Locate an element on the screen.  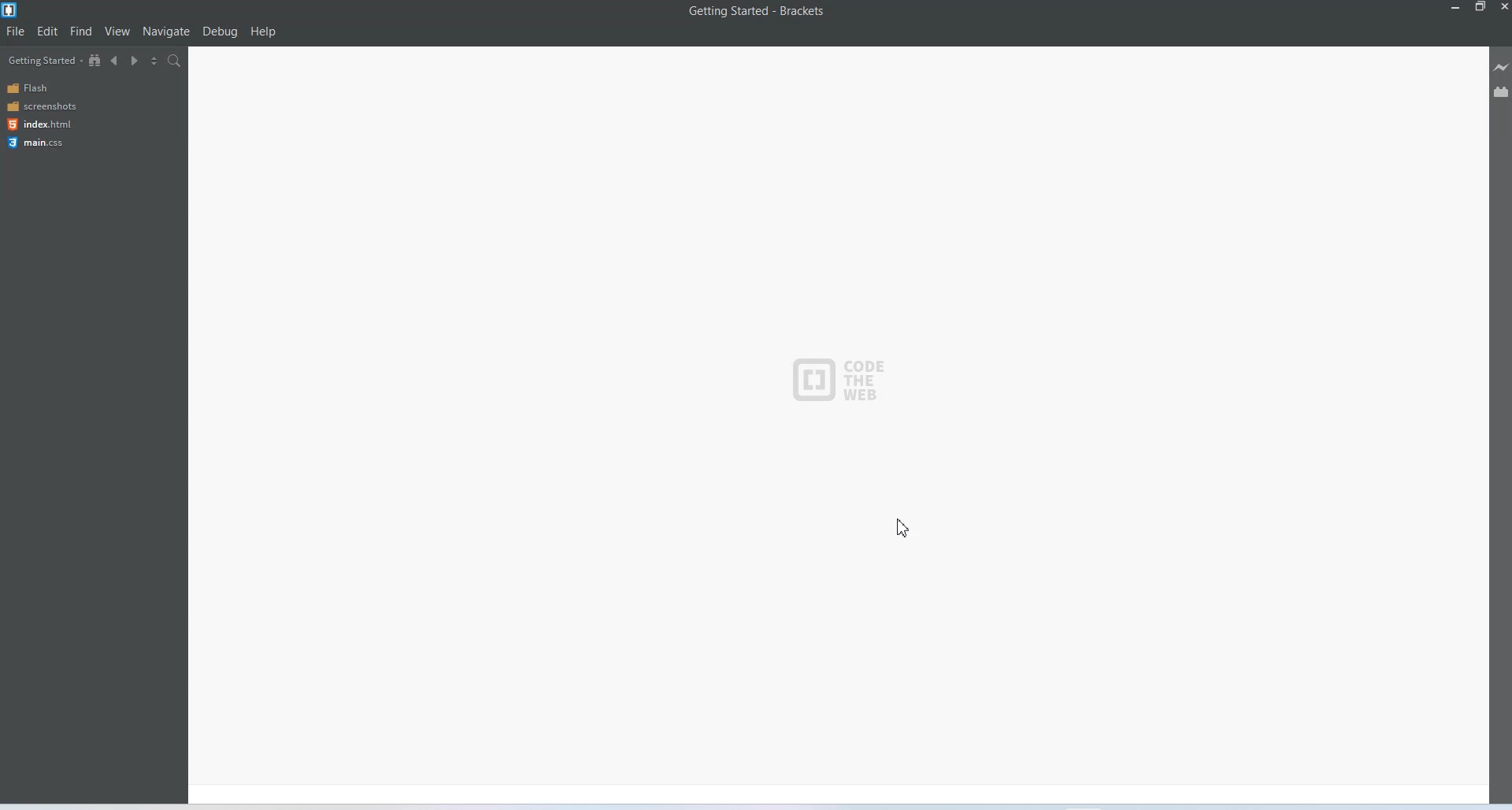
Split editor view vertically and horizontally is located at coordinates (154, 60).